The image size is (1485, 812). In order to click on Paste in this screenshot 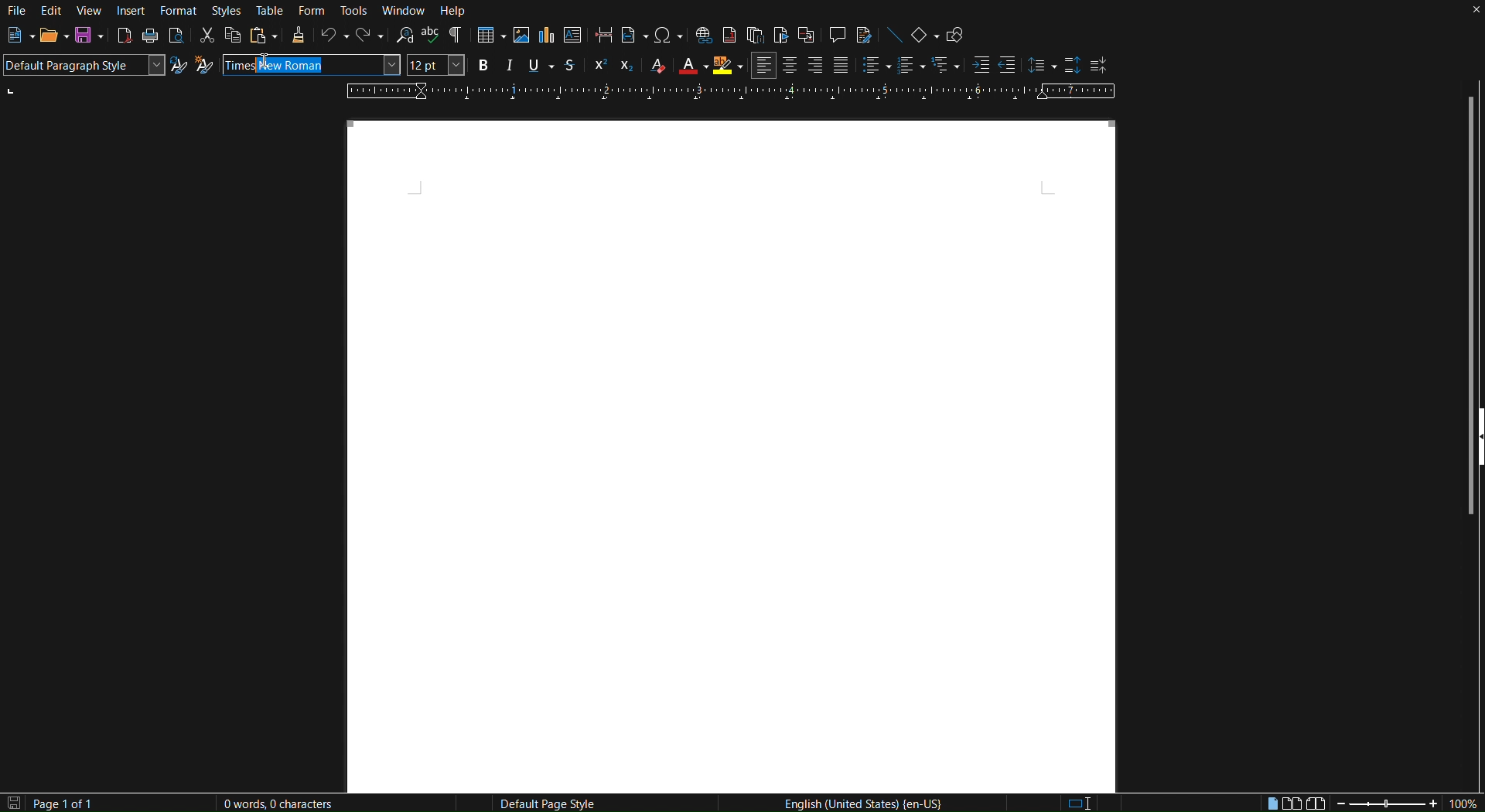, I will do `click(264, 38)`.